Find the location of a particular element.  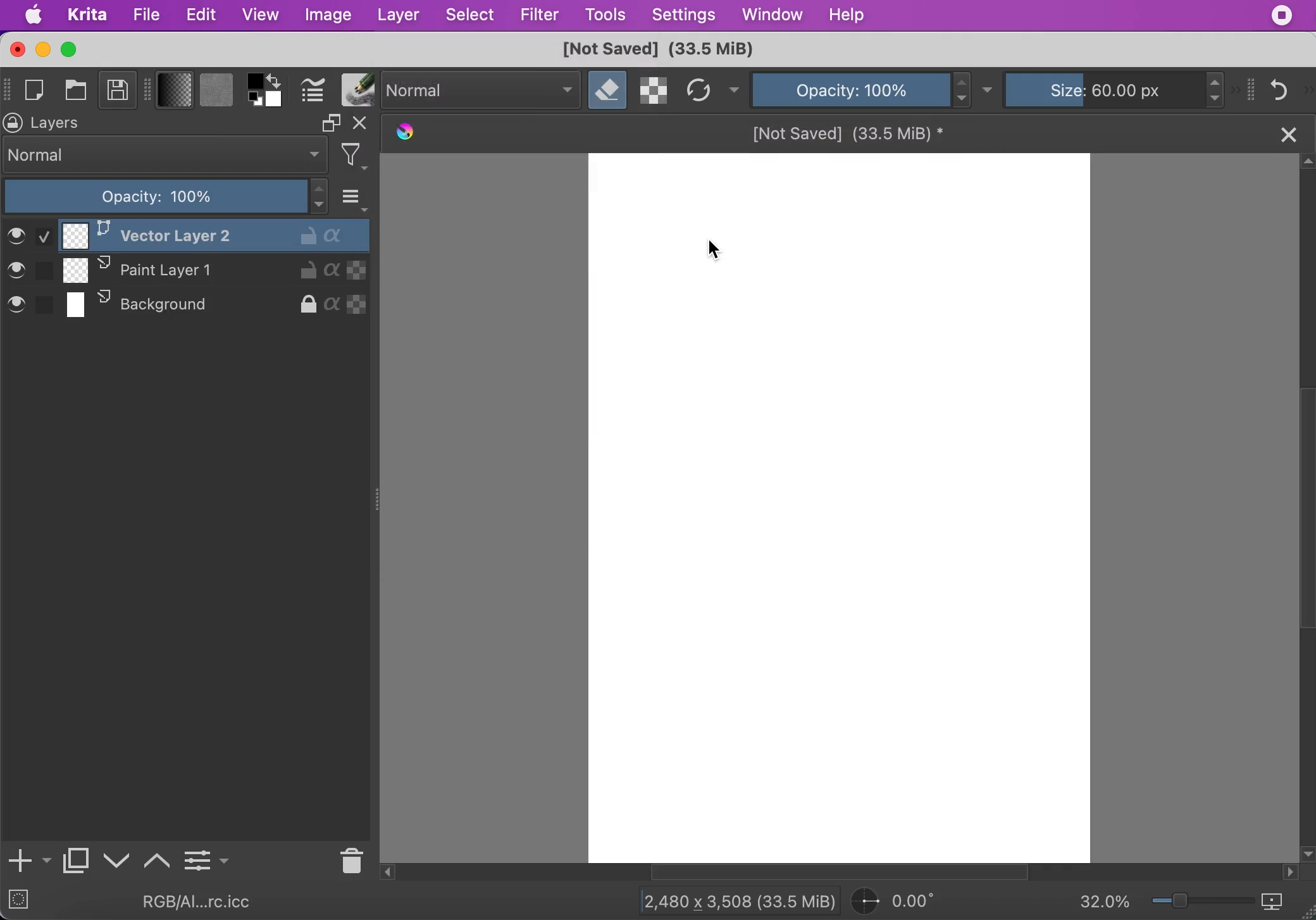

background color selector is located at coordinates (275, 101).